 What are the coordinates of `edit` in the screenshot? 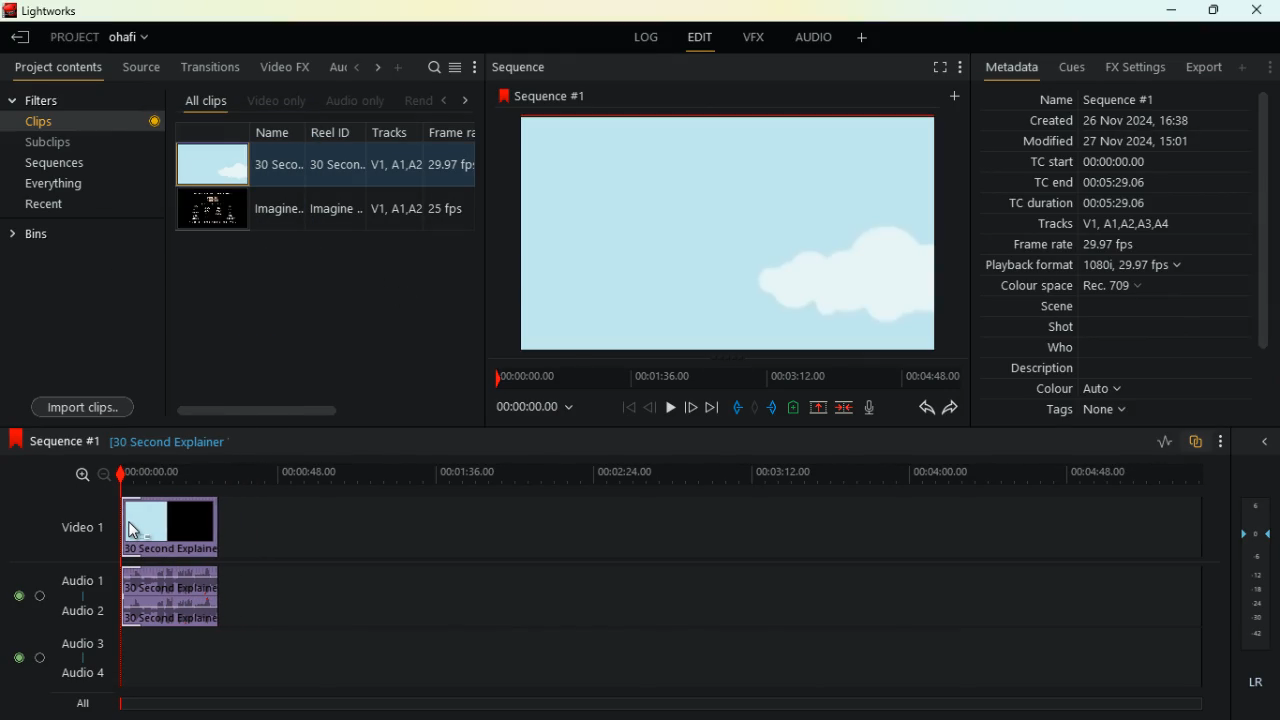 It's located at (697, 37).